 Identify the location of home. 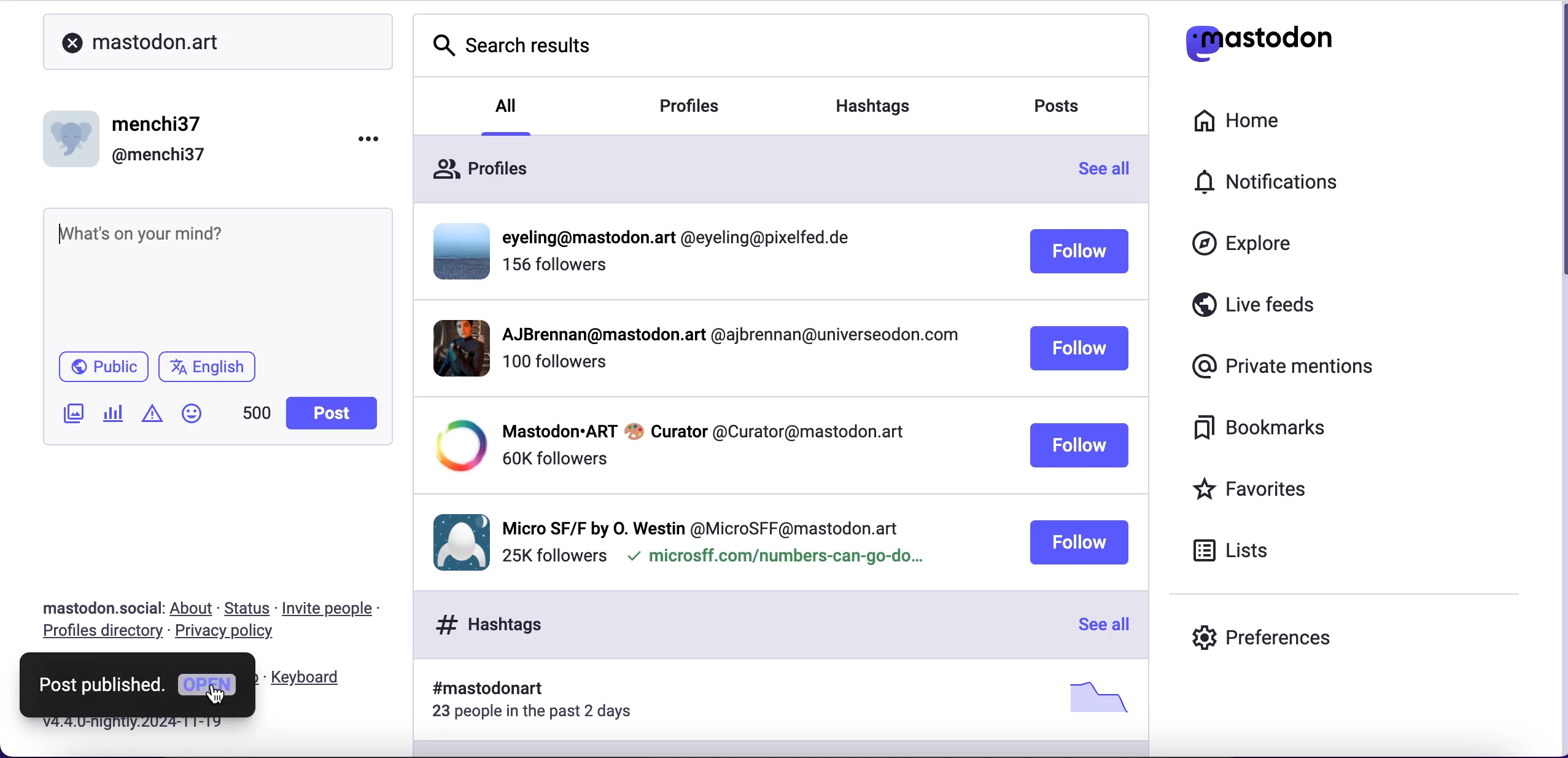
(1239, 122).